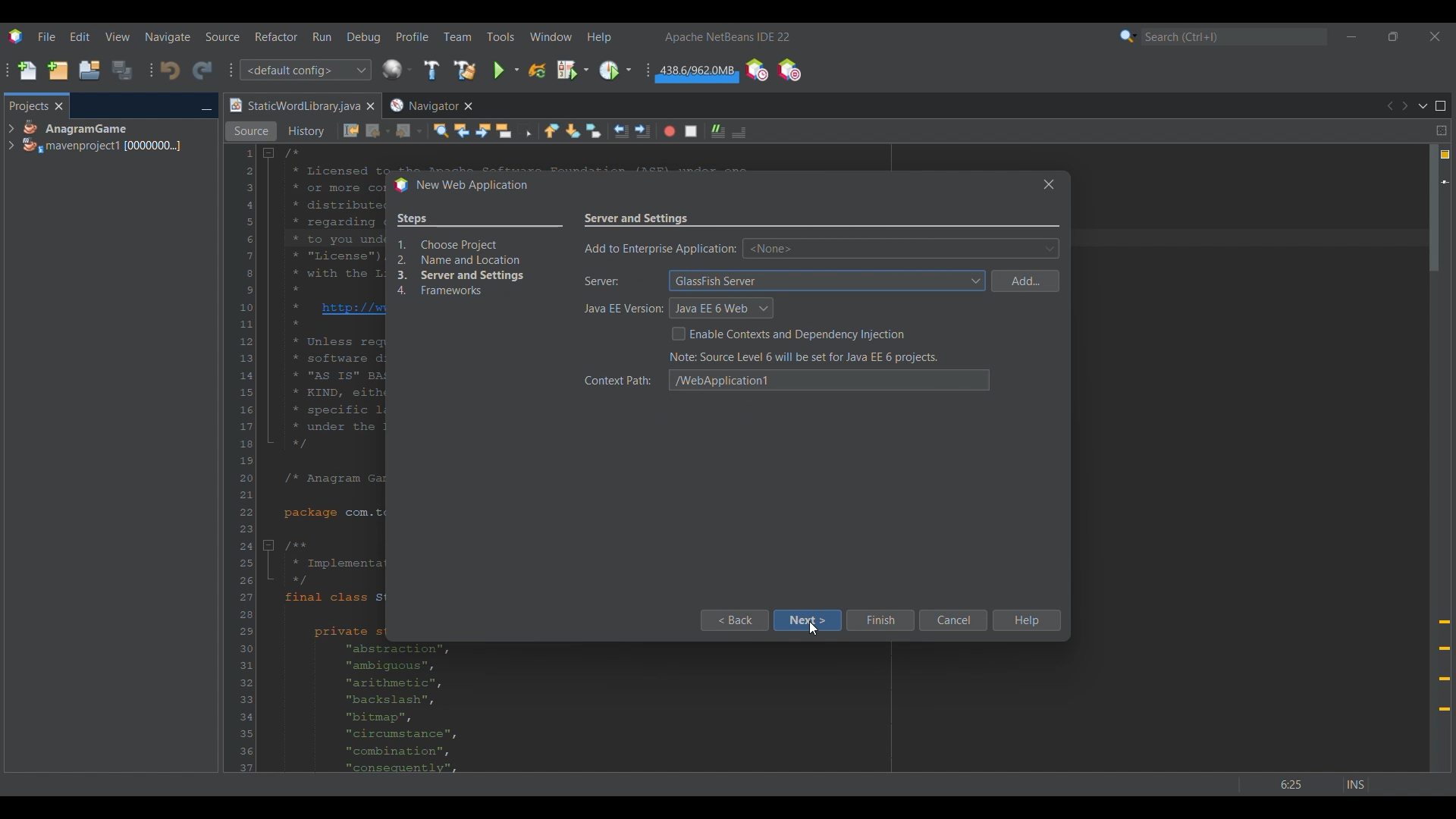 Image resolution: width=1456 pixels, height=819 pixels. I want to click on Window menu, so click(551, 36).